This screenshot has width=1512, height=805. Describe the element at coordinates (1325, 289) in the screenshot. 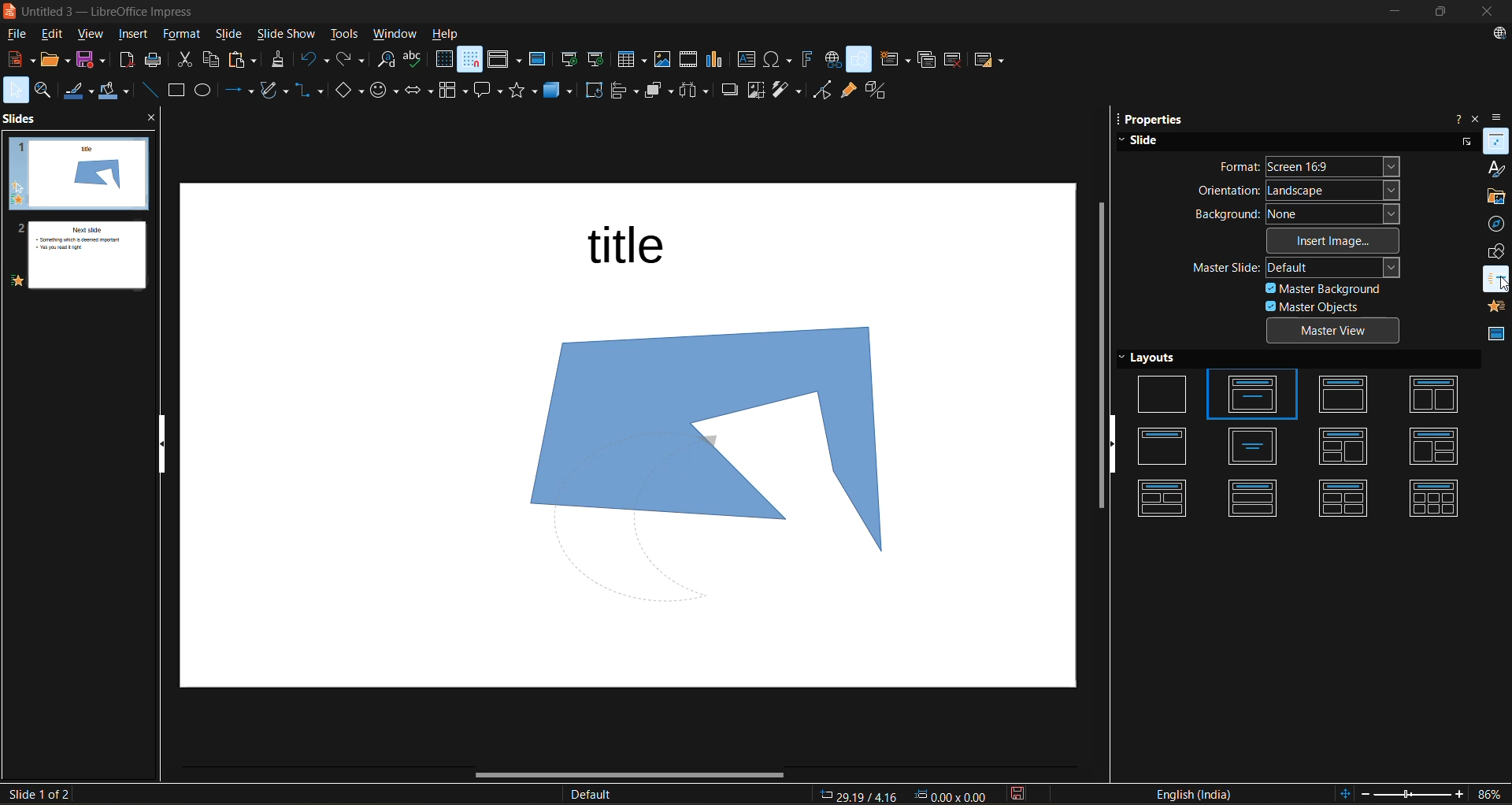

I see `master background` at that location.